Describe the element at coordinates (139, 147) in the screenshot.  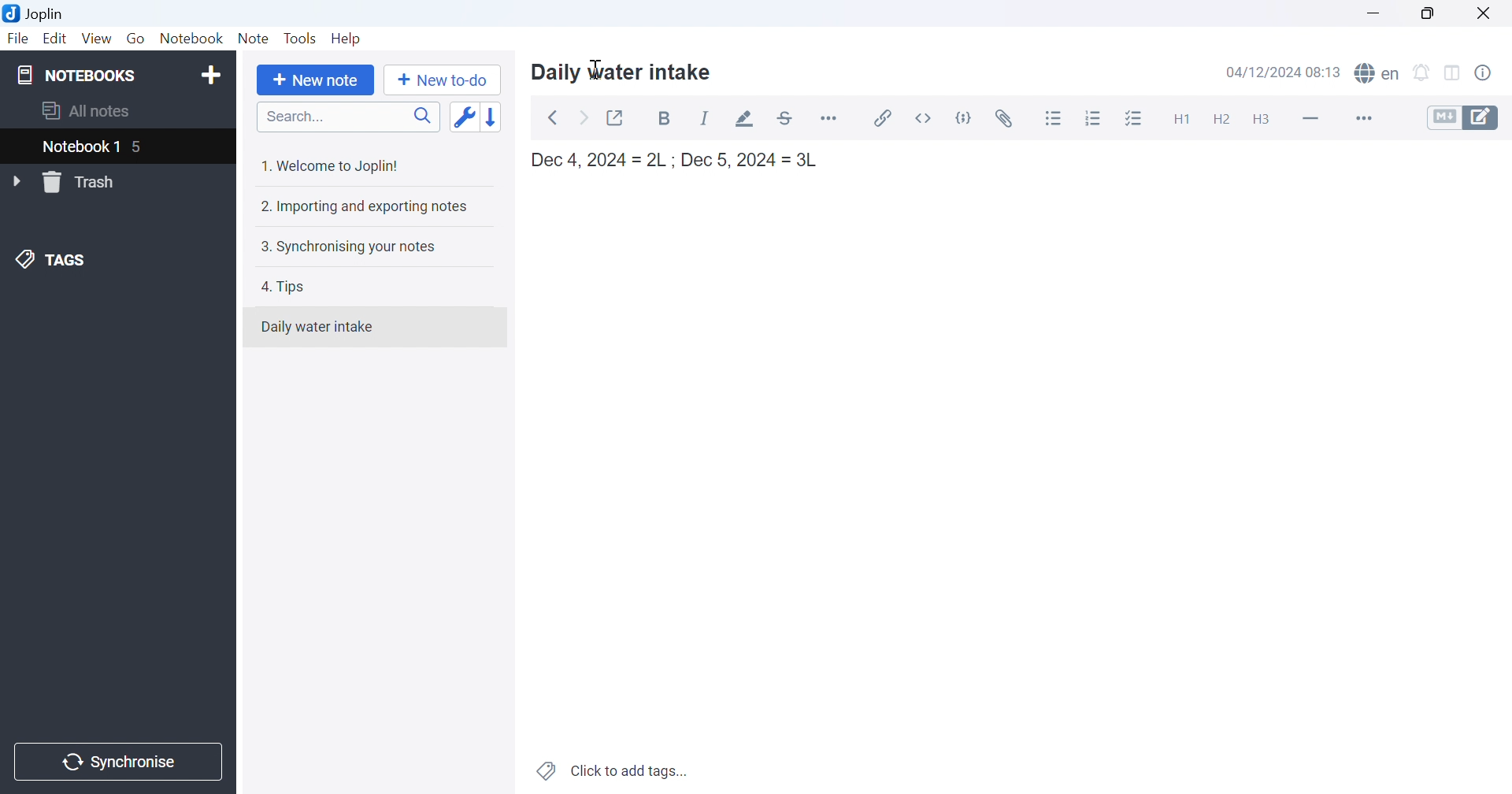
I see `4` at that location.